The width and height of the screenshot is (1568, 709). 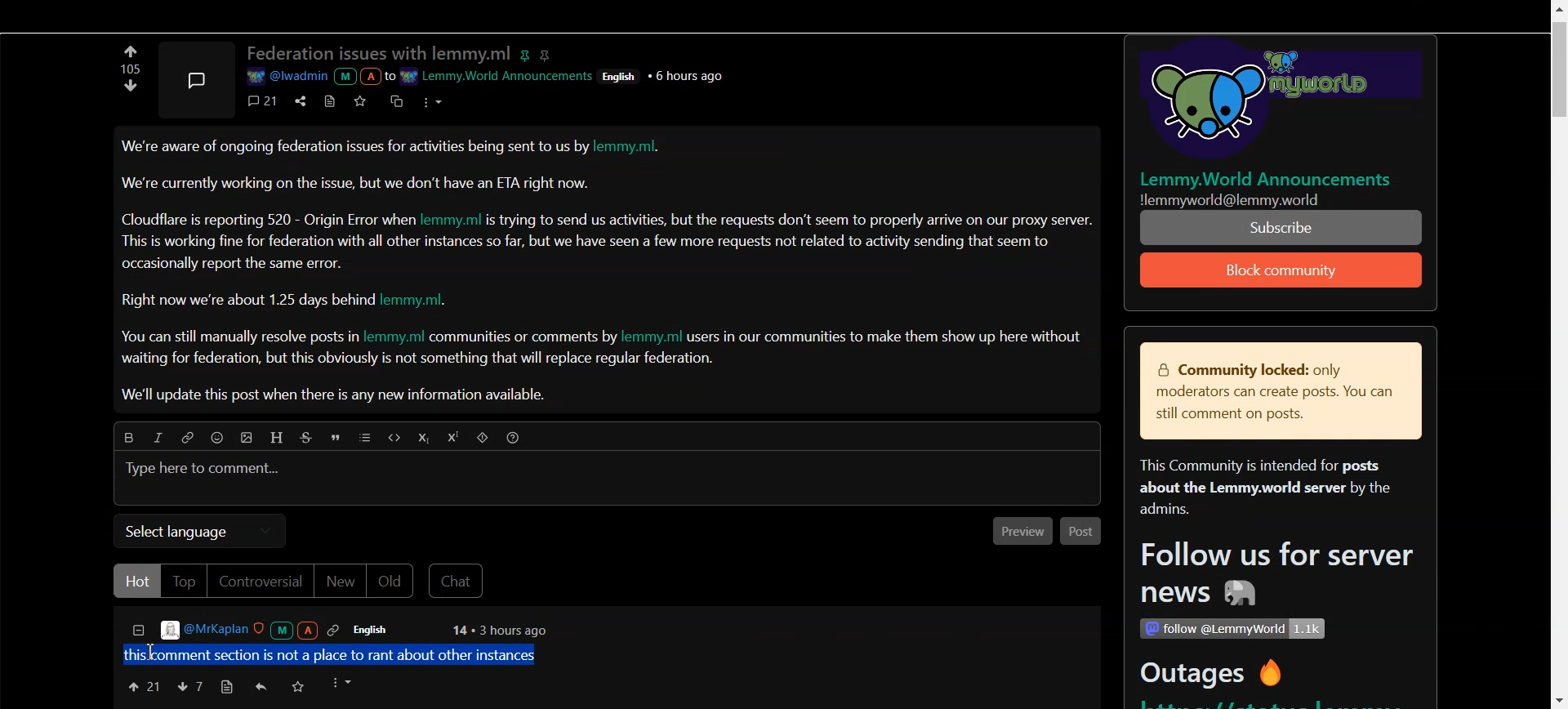 I want to click on Controversial, so click(x=260, y=582).